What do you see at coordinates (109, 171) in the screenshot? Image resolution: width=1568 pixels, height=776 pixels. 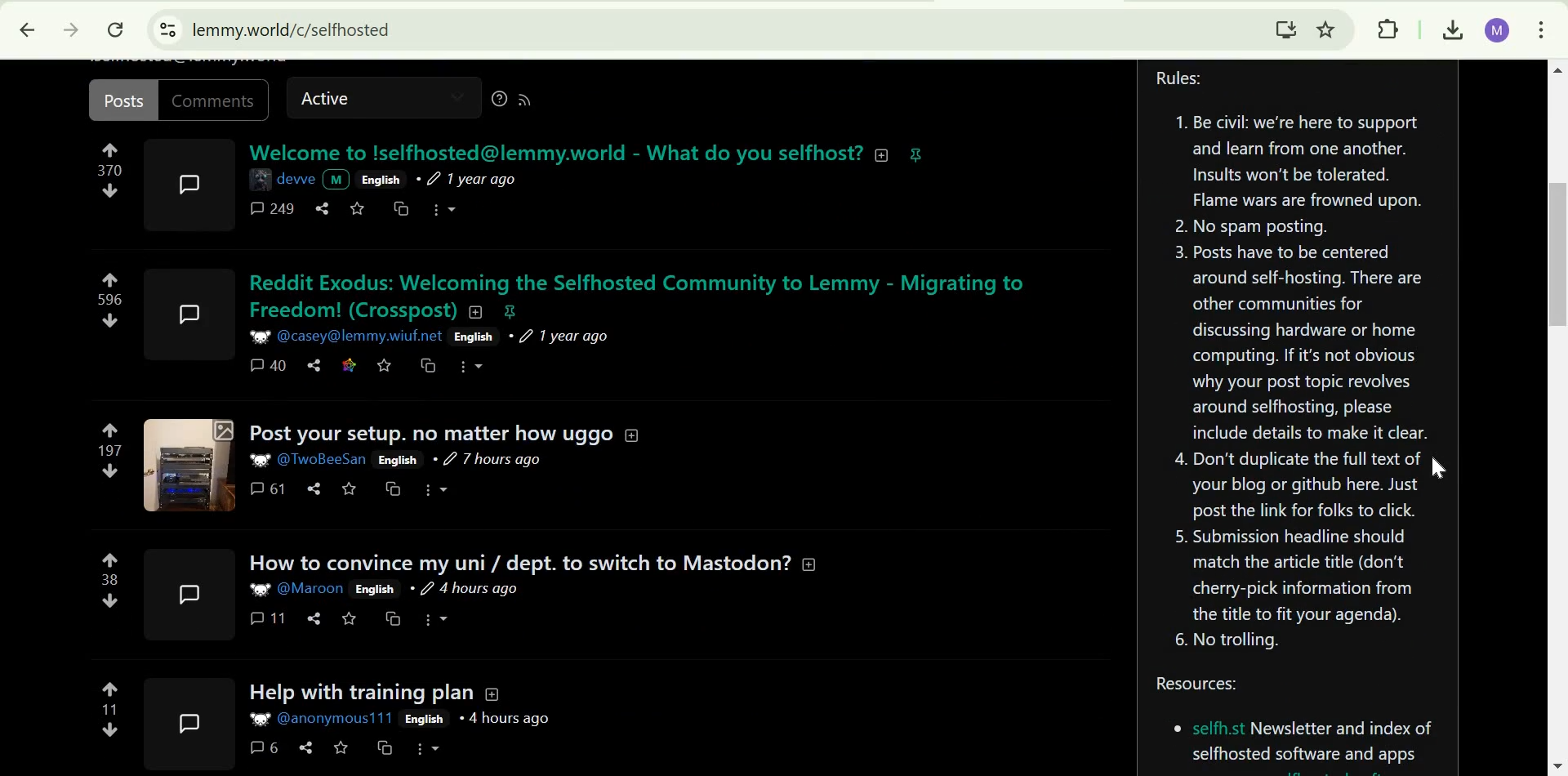 I see `numbers` at bounding box center [109, 171].